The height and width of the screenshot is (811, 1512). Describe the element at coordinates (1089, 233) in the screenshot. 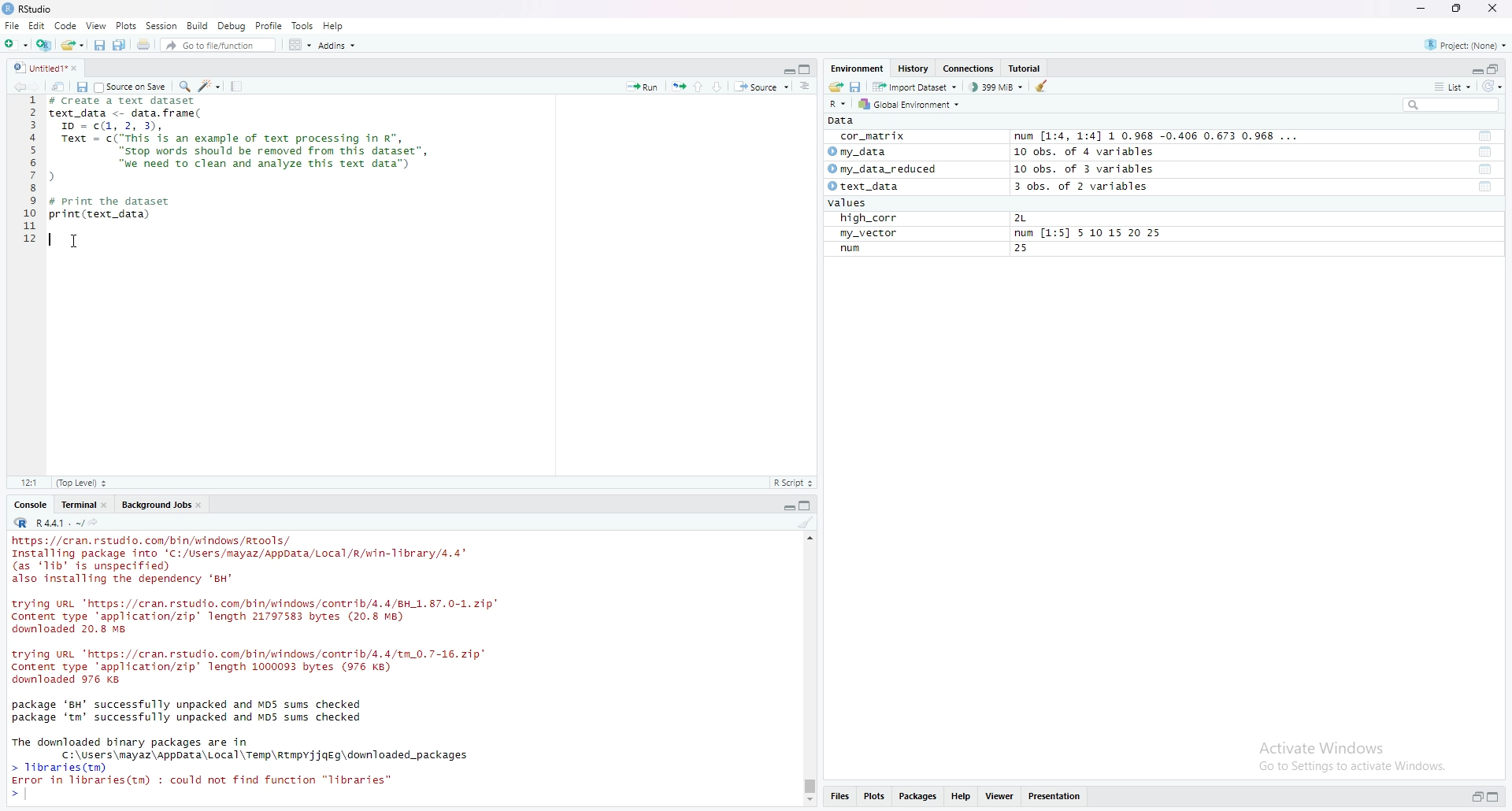

I see `num [1:5] 5 10 15 20 25` at that location.